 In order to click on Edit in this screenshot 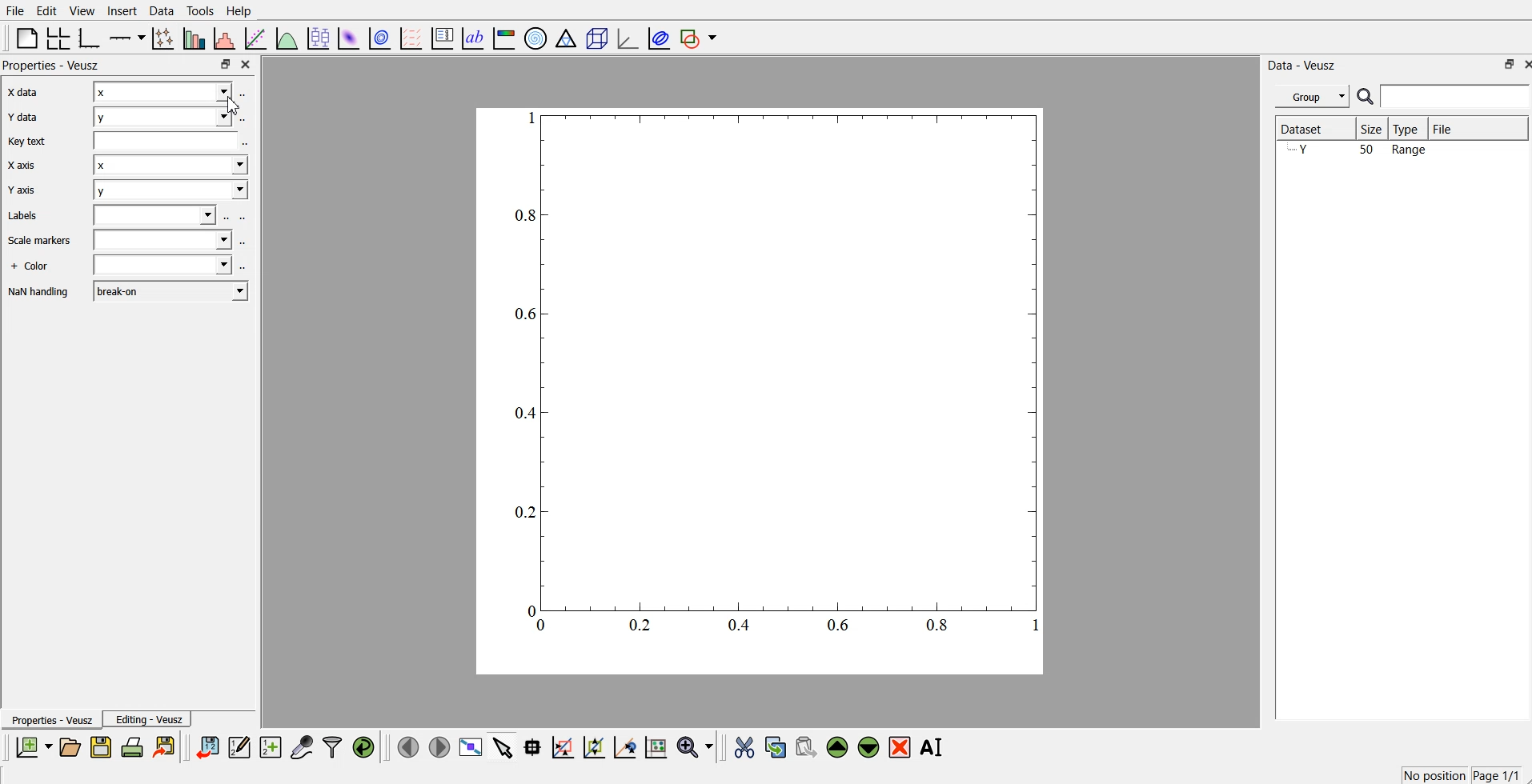, I will do `click(46, 10)`.